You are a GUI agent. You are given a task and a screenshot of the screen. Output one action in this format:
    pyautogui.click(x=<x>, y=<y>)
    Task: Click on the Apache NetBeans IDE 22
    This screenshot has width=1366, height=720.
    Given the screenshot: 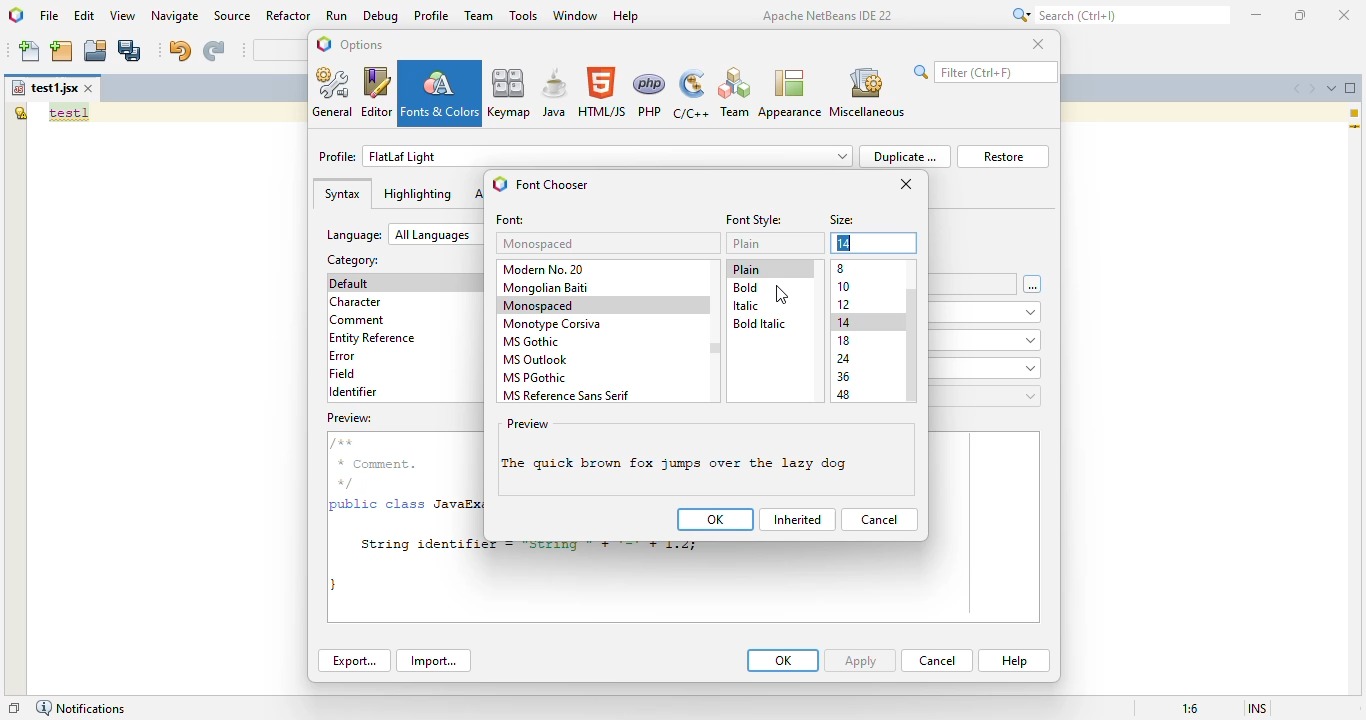 What is the action you would take?
    pyautogui.click(x=828, y=15)
    